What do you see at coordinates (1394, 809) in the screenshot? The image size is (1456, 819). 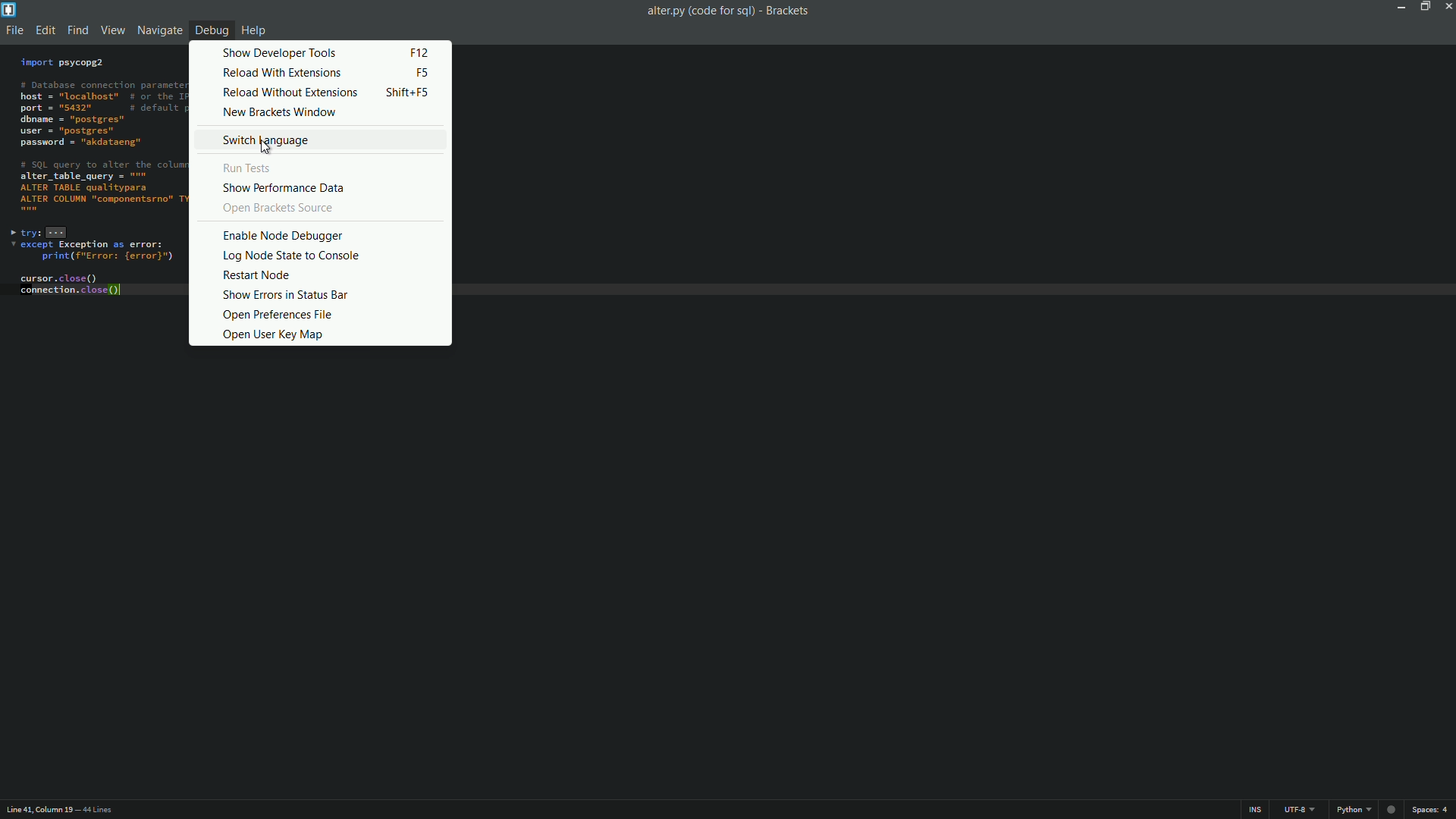 I see `circle` at bounding box center [1394, 809].